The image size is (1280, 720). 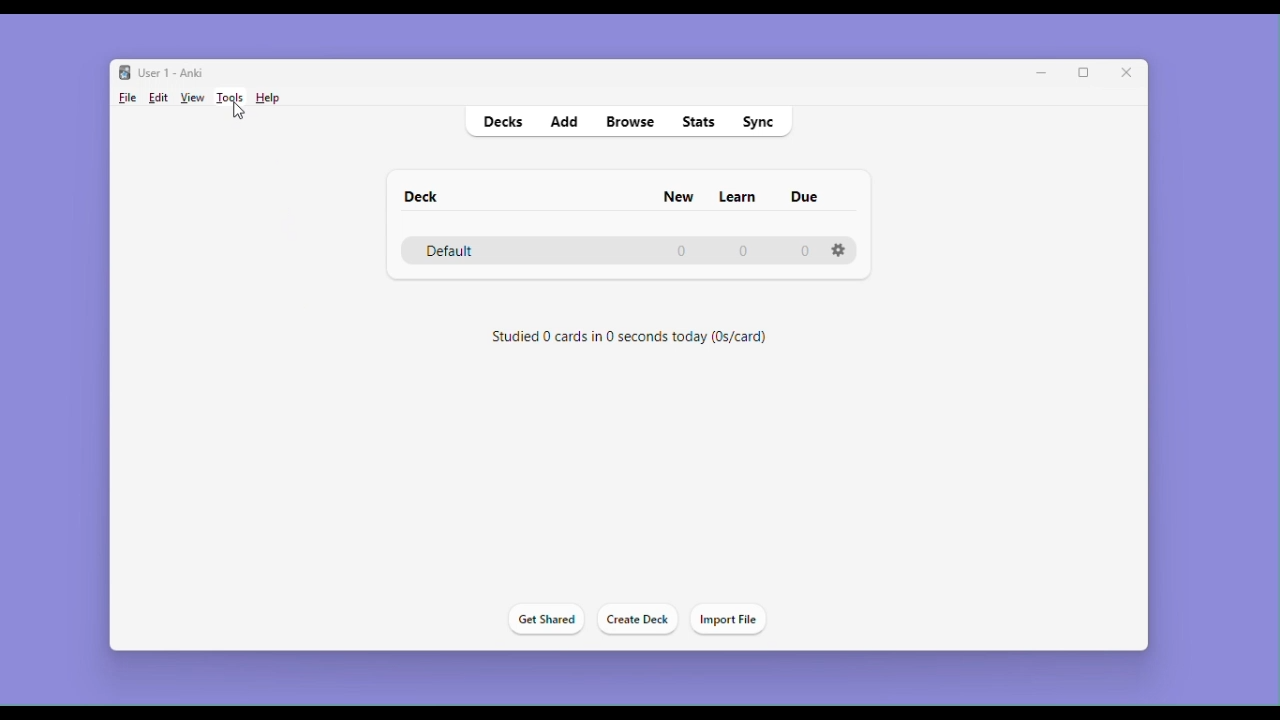 What do you see at coordinates (192, 98) in the screenshot?
I see `View` at bounding box center [192, 98].